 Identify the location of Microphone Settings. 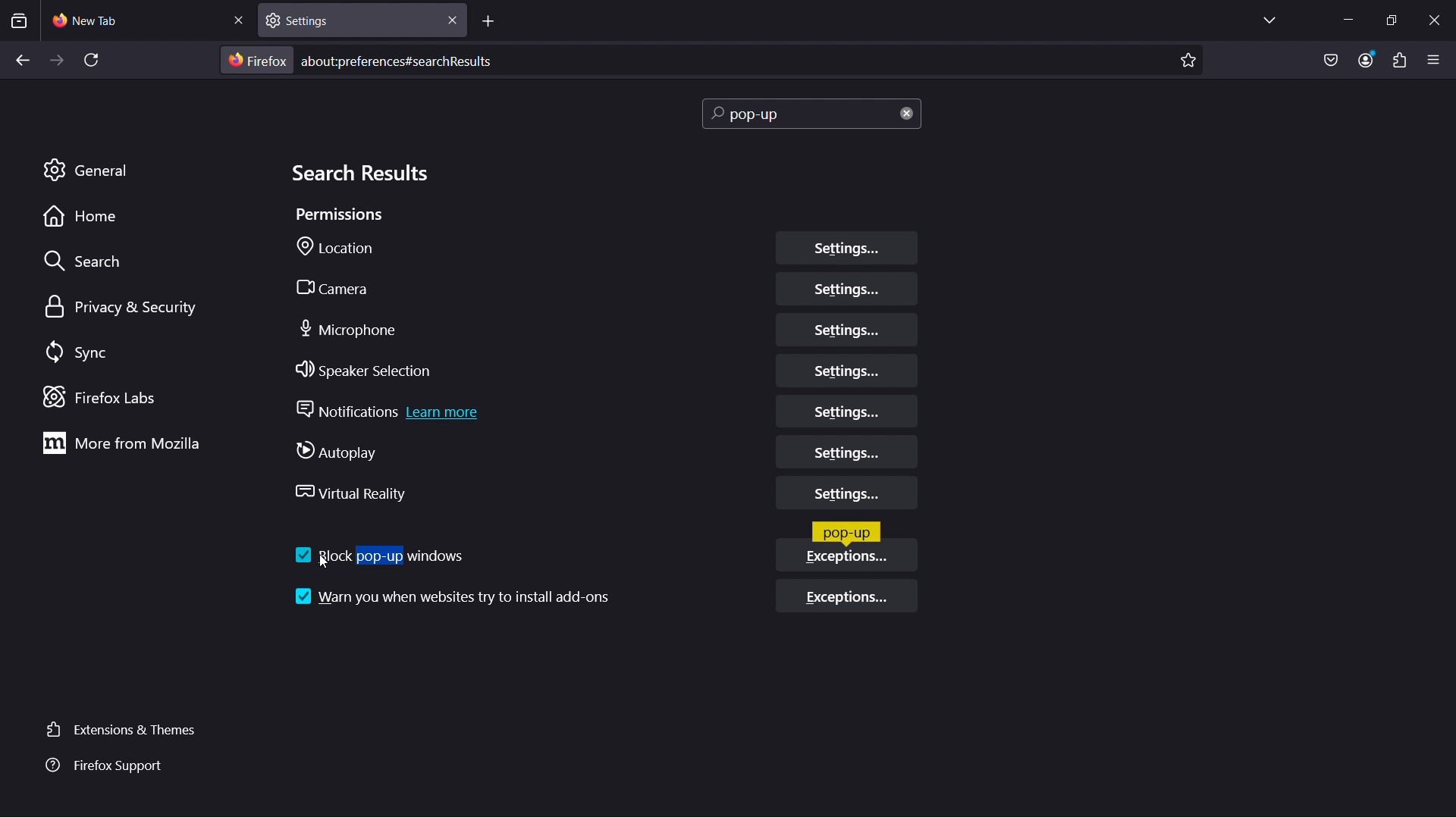
(847, 330).